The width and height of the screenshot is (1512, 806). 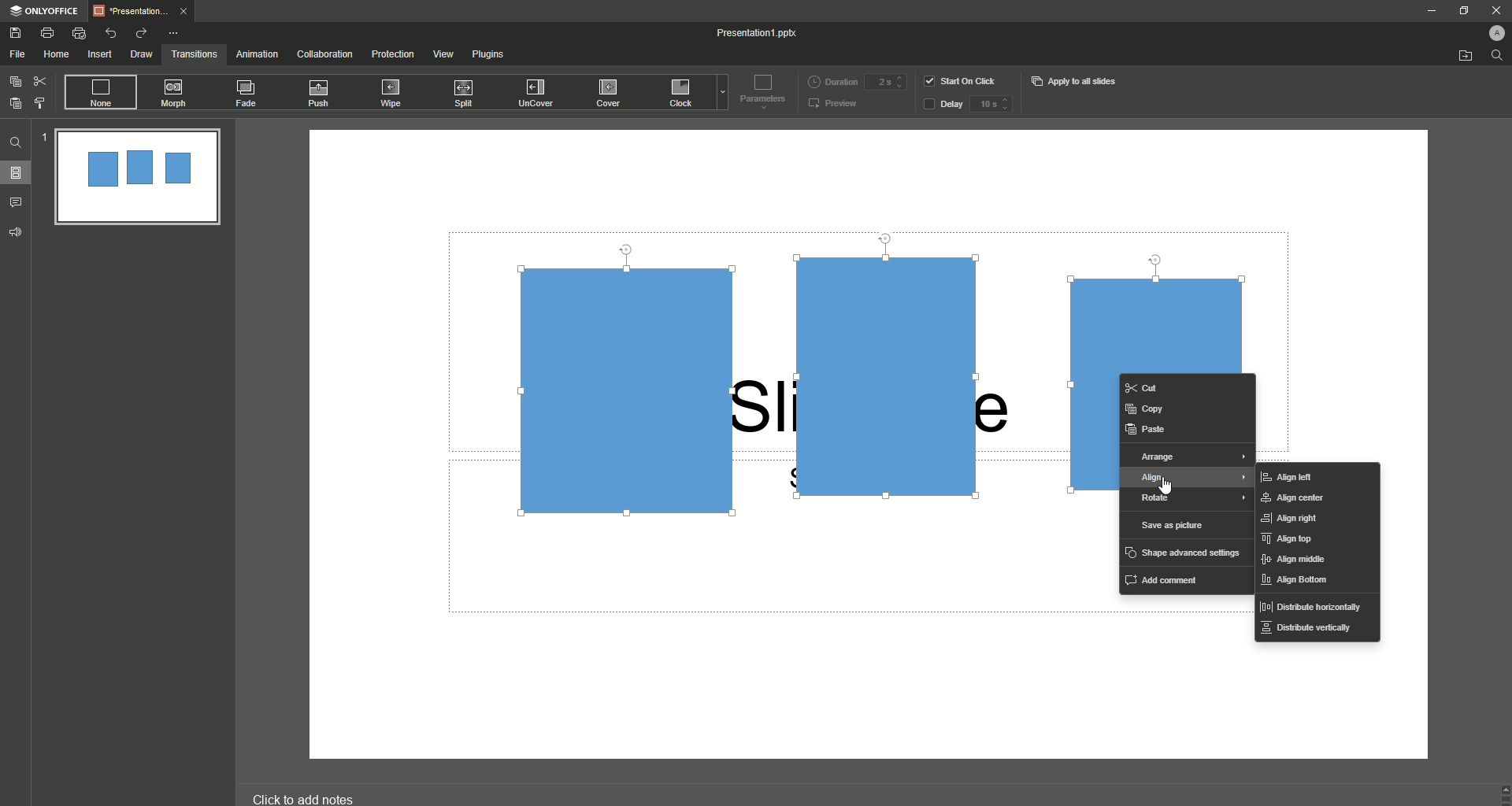 What do you see at coordinates (1076, 81) in the screenshot?
I see `Apply to all slides` at bounding box center [1076, 81].